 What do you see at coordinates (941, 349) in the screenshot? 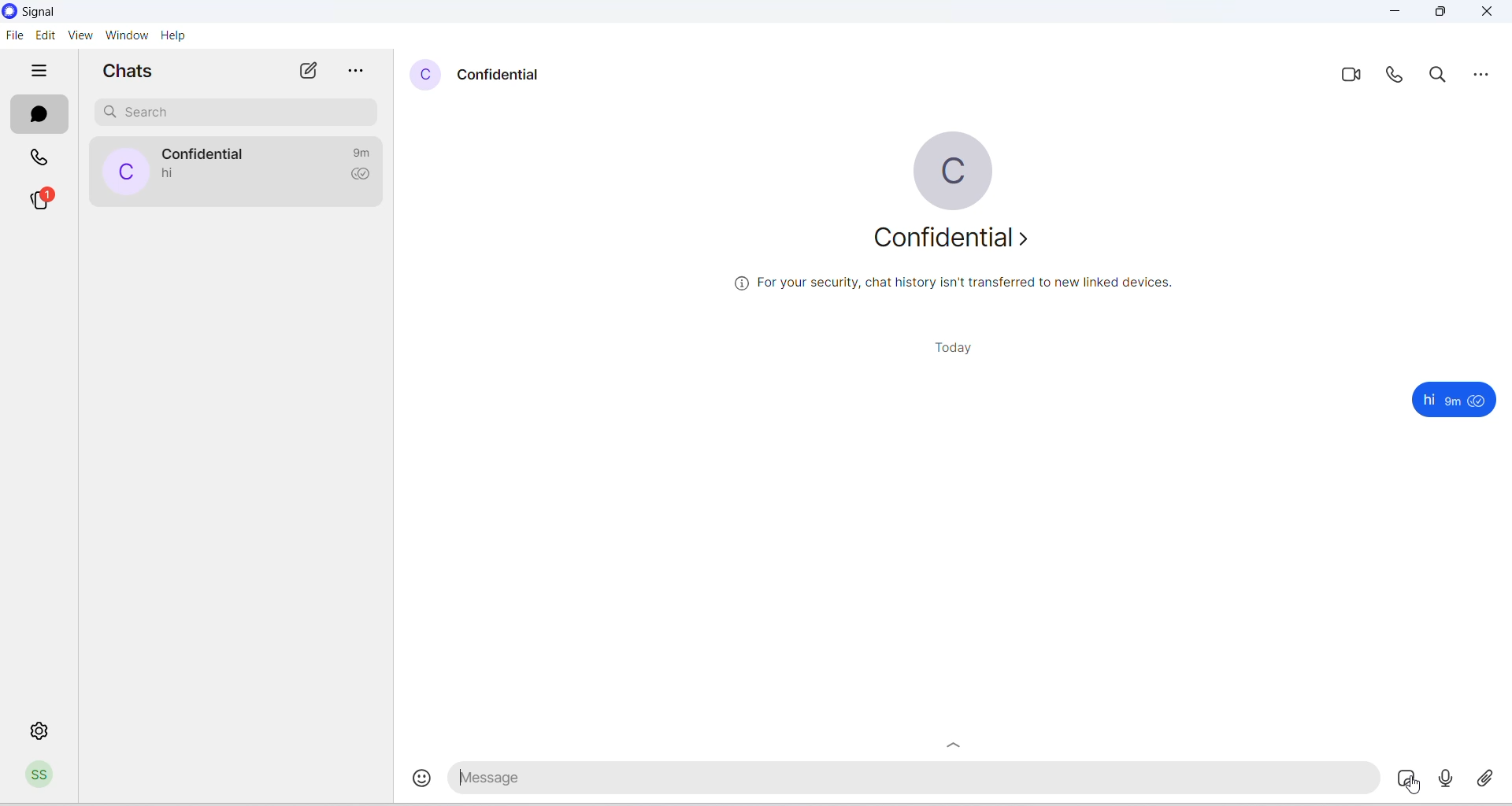
I see `today` at bounding box center [941, 349].